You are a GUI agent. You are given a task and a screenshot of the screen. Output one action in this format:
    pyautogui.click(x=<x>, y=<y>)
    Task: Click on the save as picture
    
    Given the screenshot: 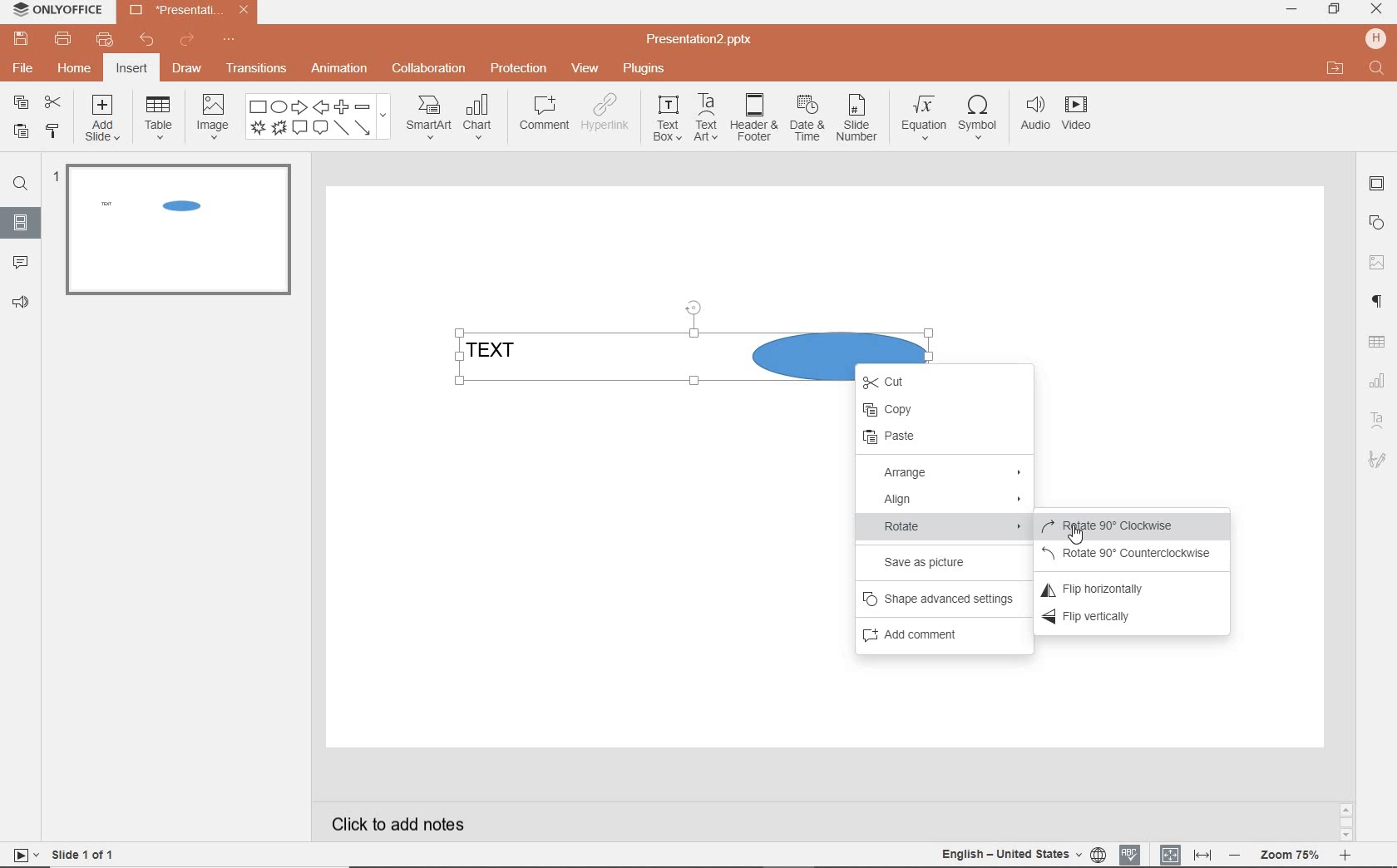 What is the action you would take?
    pyautogui.click(x=933, y=563)
    